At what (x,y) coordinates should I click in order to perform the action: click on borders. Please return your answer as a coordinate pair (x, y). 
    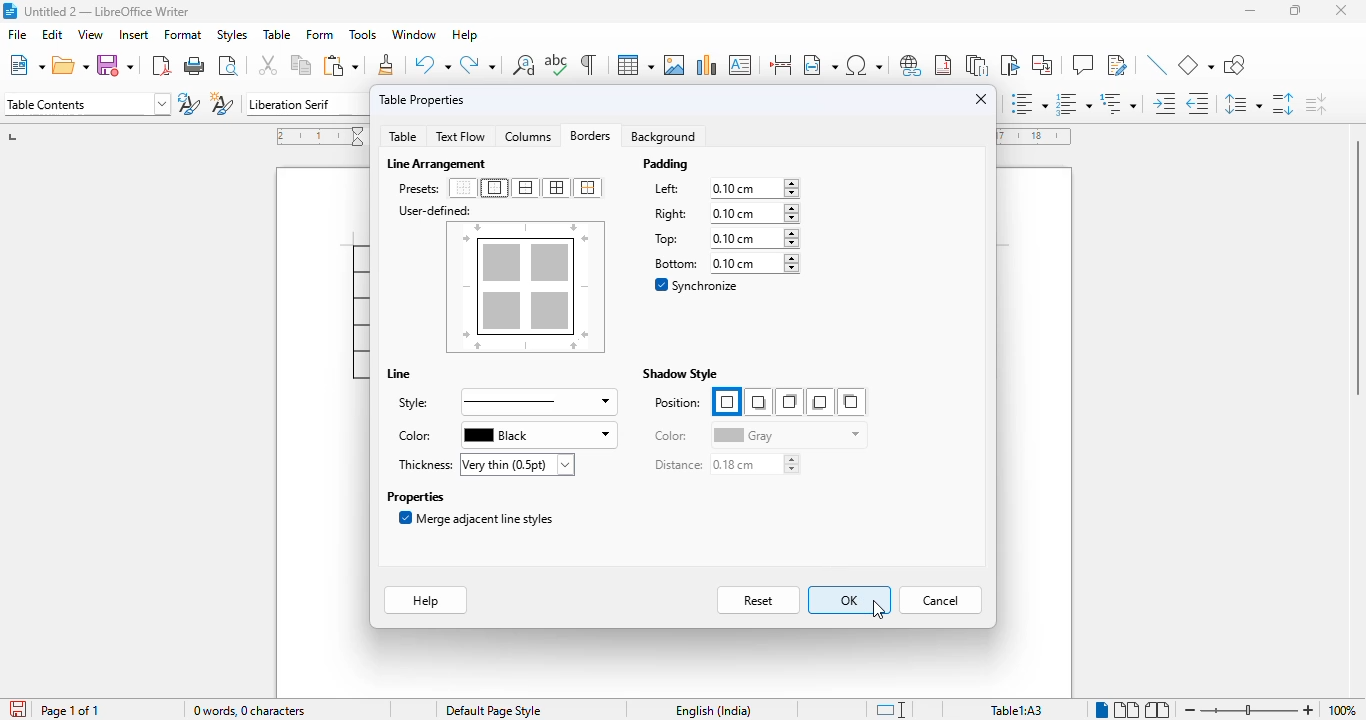
    Looking at the image, I should click on (589, 135).